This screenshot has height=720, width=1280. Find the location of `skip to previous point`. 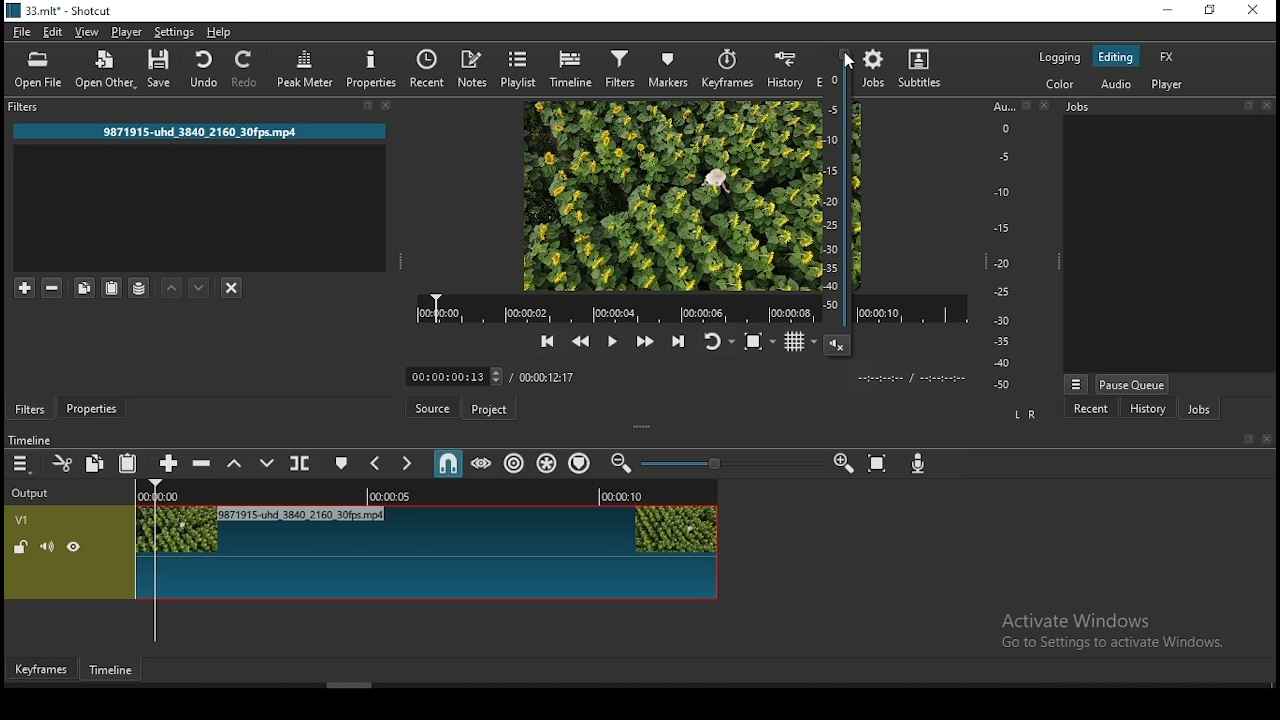

skip to previous point is located at coordinates (547, 341).